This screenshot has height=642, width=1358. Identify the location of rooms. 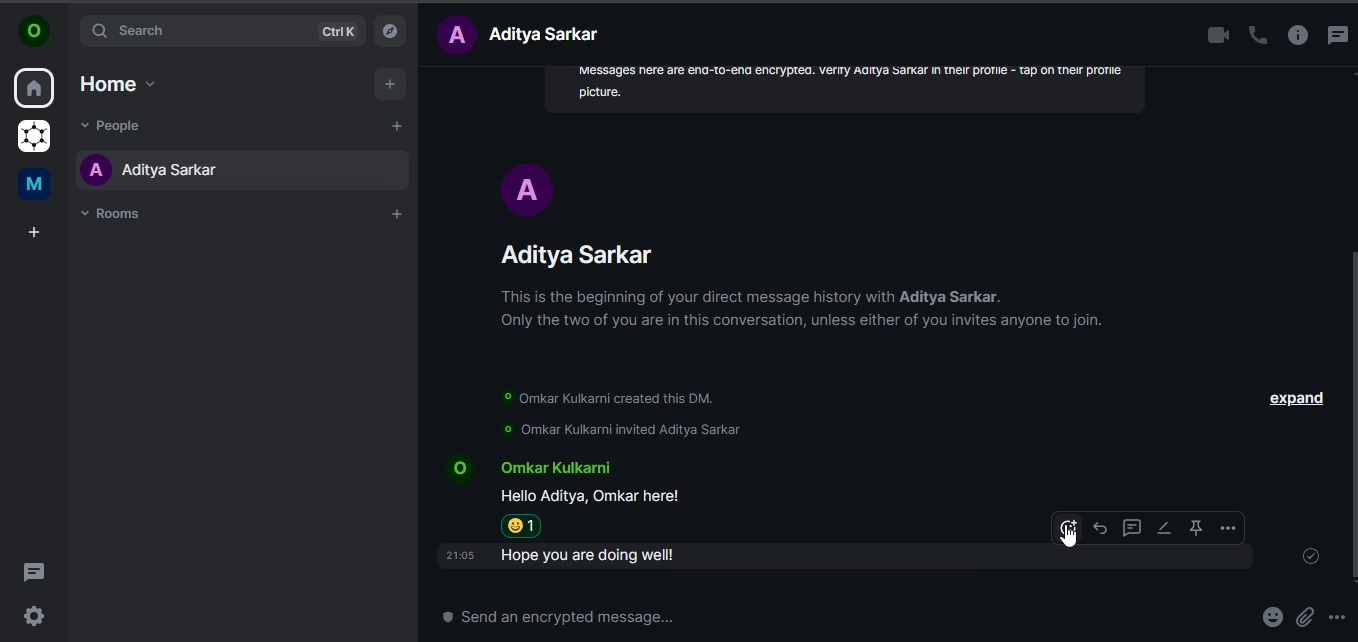
(114, 214).